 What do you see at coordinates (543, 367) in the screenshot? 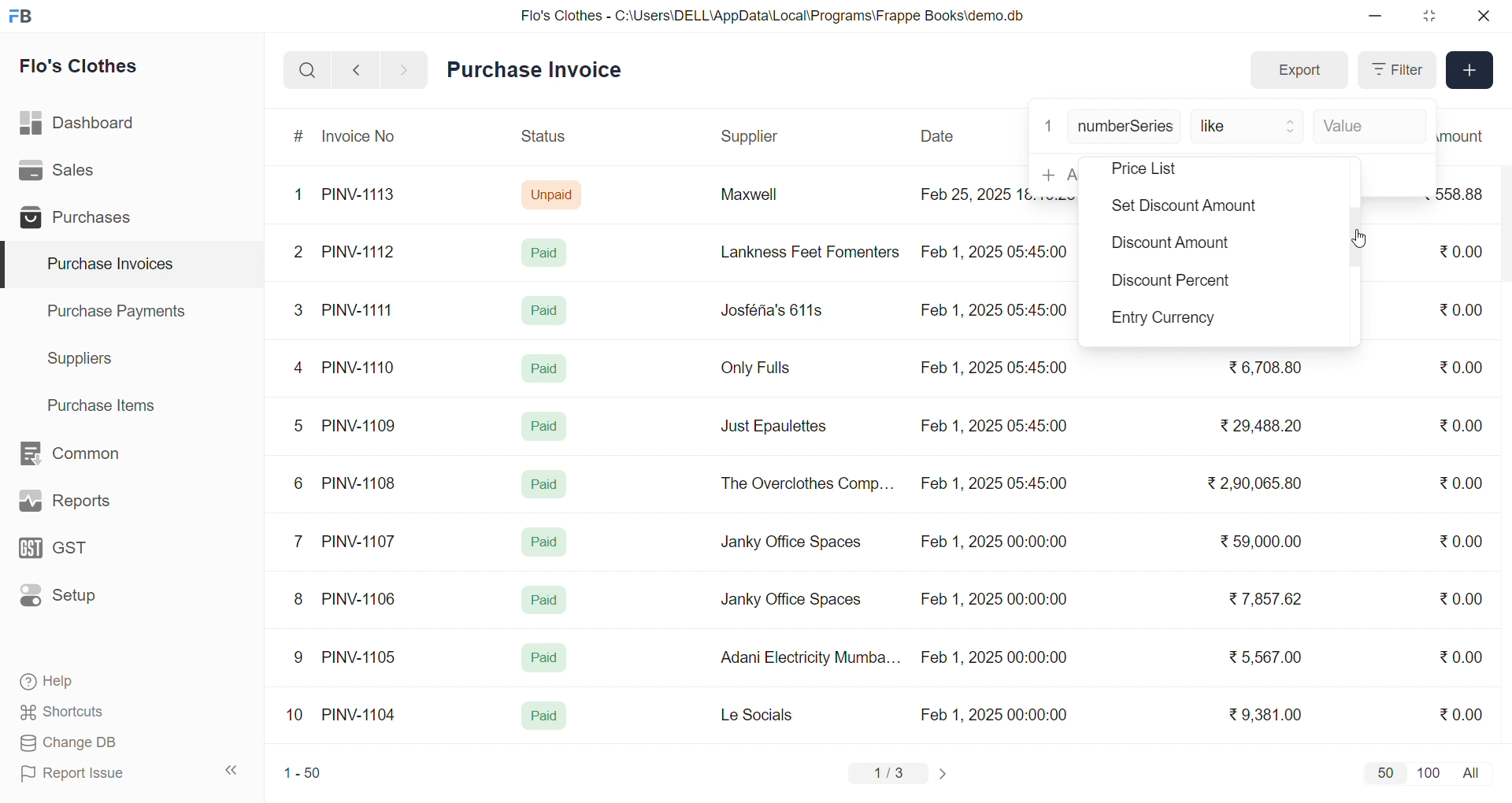
I see `Paid` at bounding box center [543, 367].